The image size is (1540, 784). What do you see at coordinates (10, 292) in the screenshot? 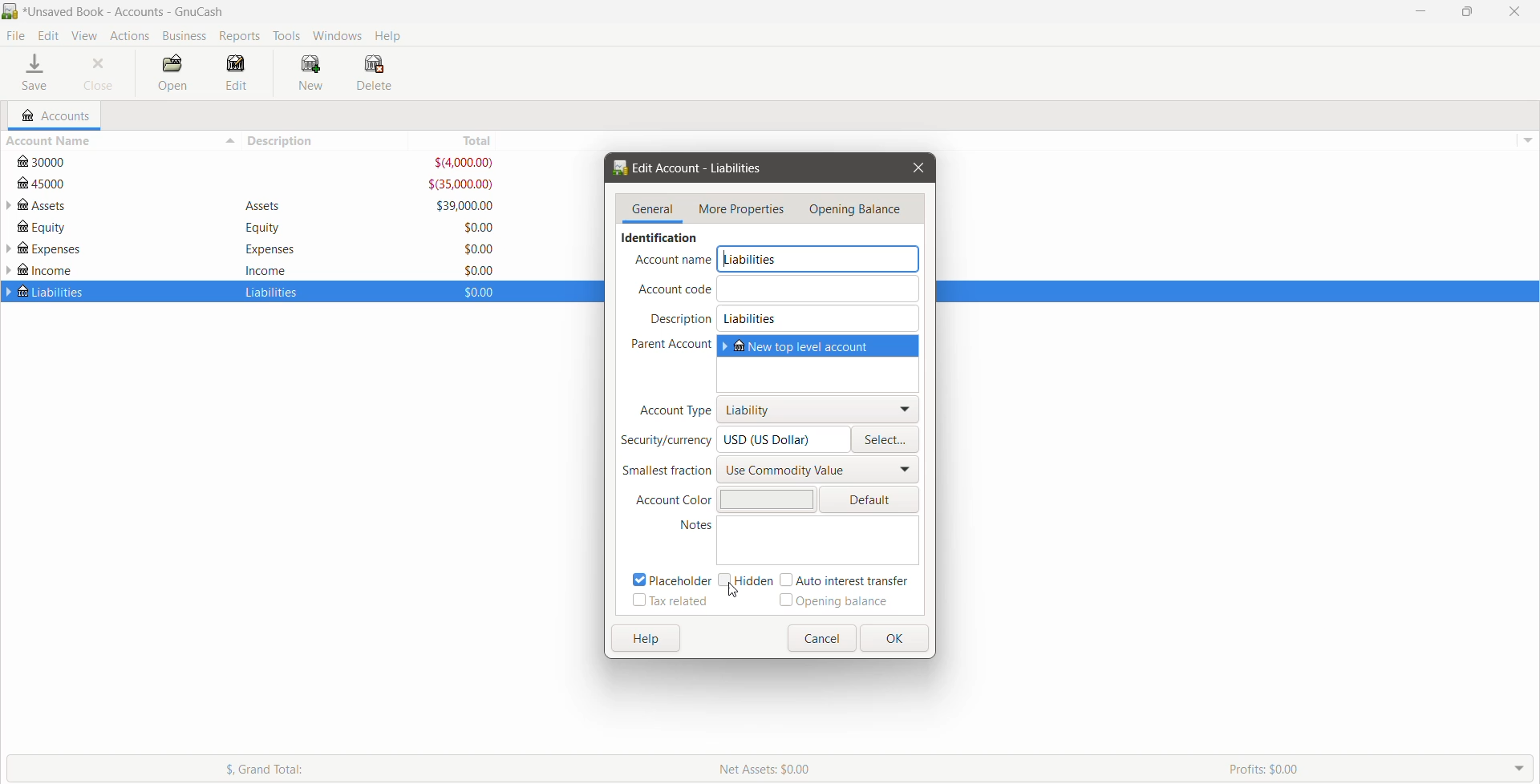
I see `expand subaccounts` at bounding box center [10, 292].